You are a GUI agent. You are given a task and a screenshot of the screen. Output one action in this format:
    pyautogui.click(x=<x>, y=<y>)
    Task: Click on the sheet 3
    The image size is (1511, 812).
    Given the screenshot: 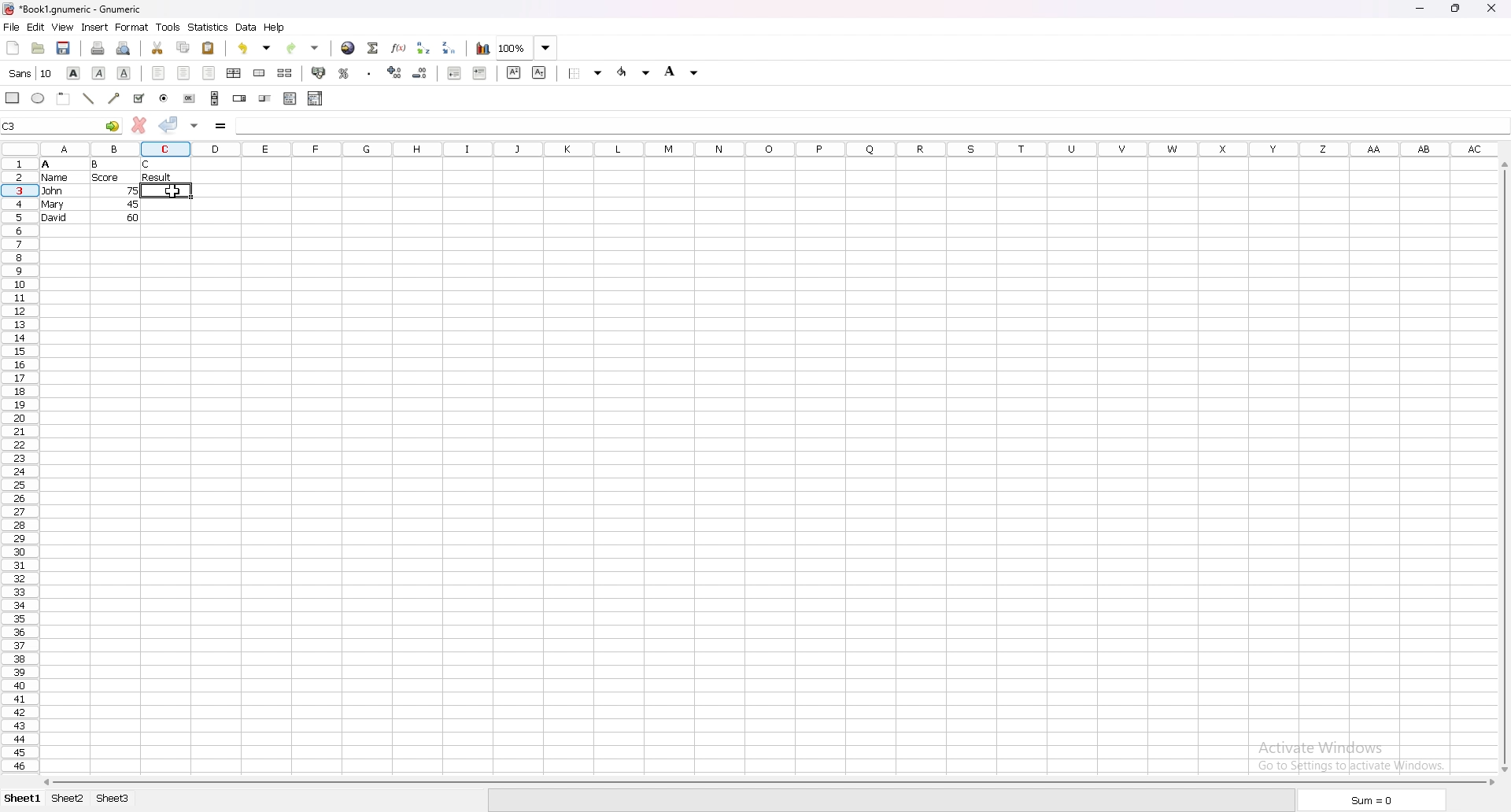 What is the action you would take?
    pyautogui.click(x=116, y=800)
    